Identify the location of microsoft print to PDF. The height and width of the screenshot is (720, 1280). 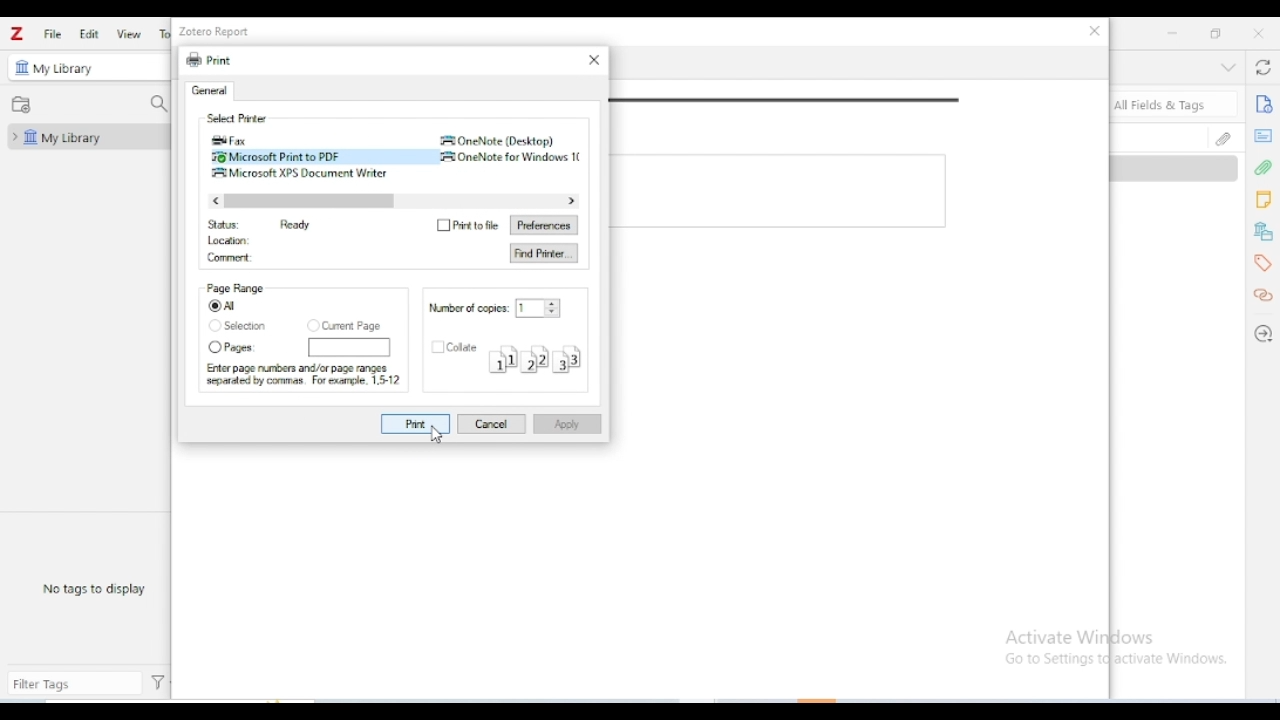
(274, 157).